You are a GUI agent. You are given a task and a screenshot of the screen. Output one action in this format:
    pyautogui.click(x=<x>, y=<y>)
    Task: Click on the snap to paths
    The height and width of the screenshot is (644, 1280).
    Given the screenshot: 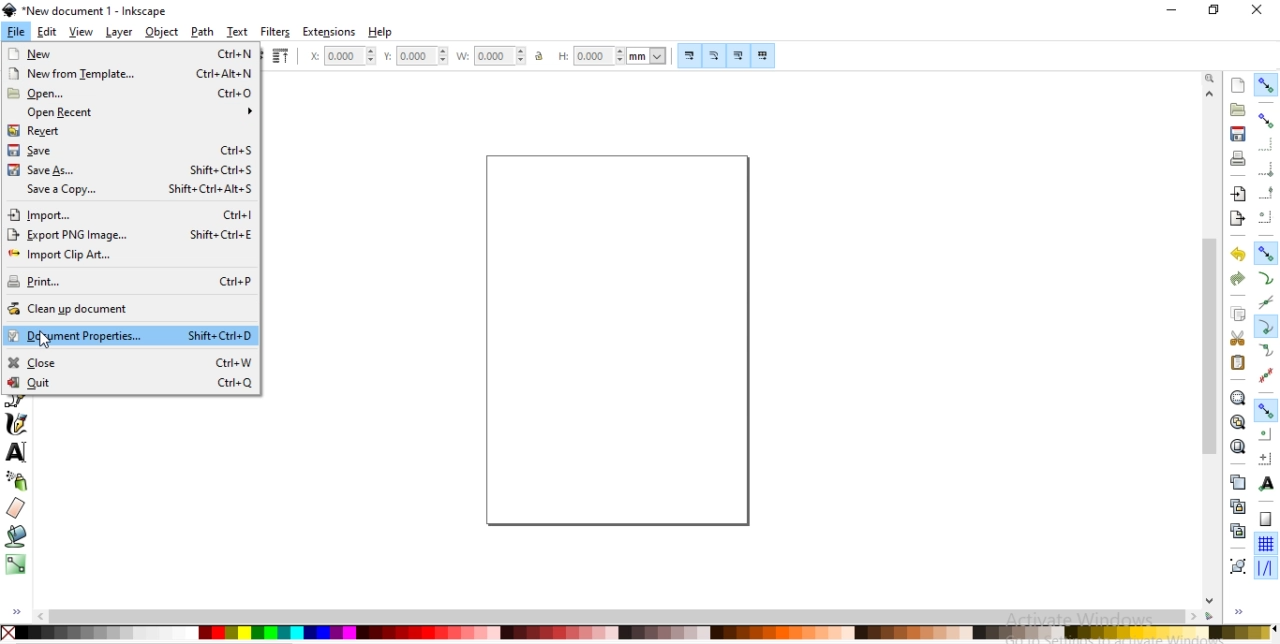 What is the action you would take?
    pyautogui.click(x=1265, y=279)
    